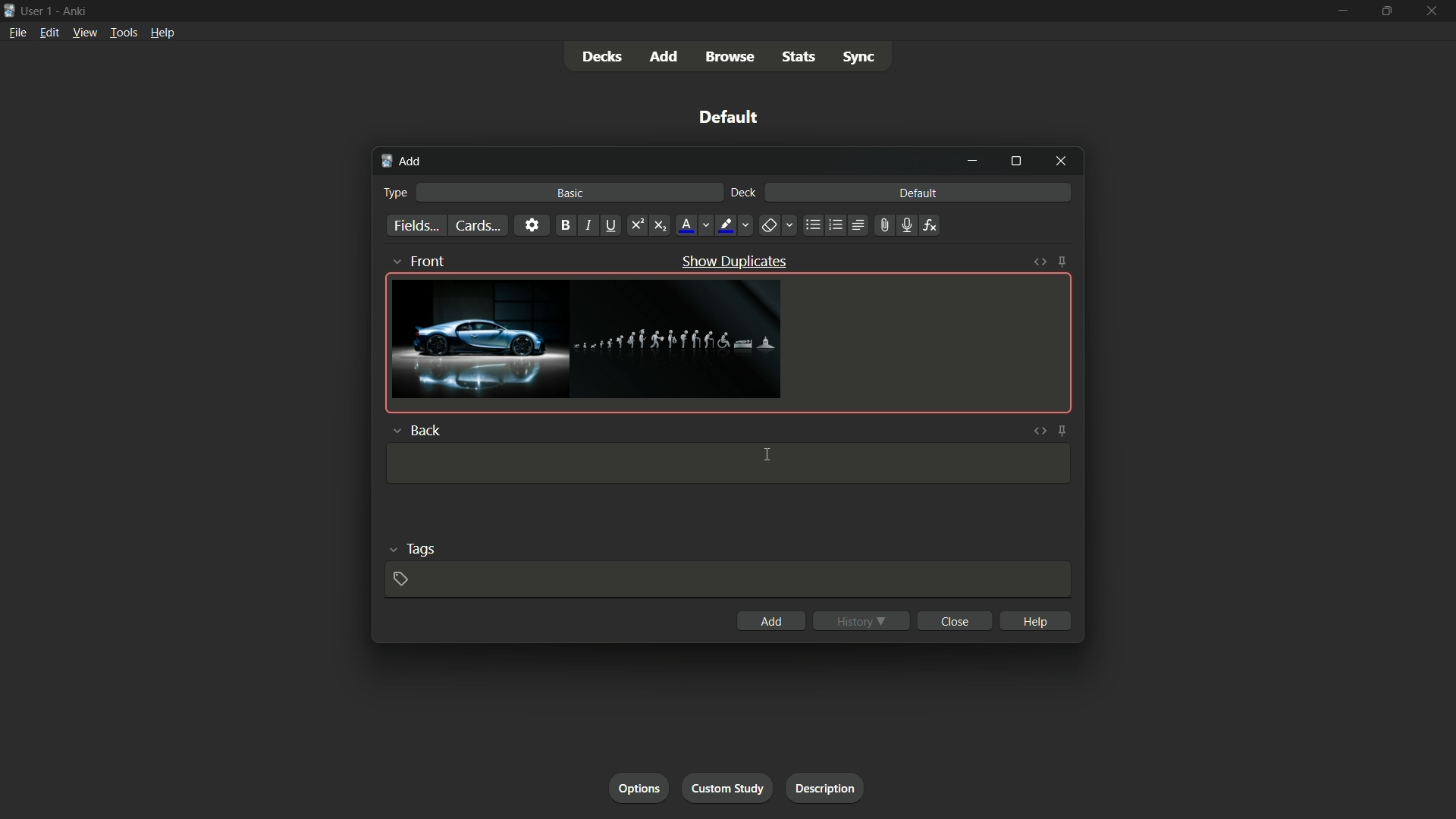 The image size is (1456, 819). Describe the element at coordinates (52, 32) in the screenshot. I see `edit menu` at that location.